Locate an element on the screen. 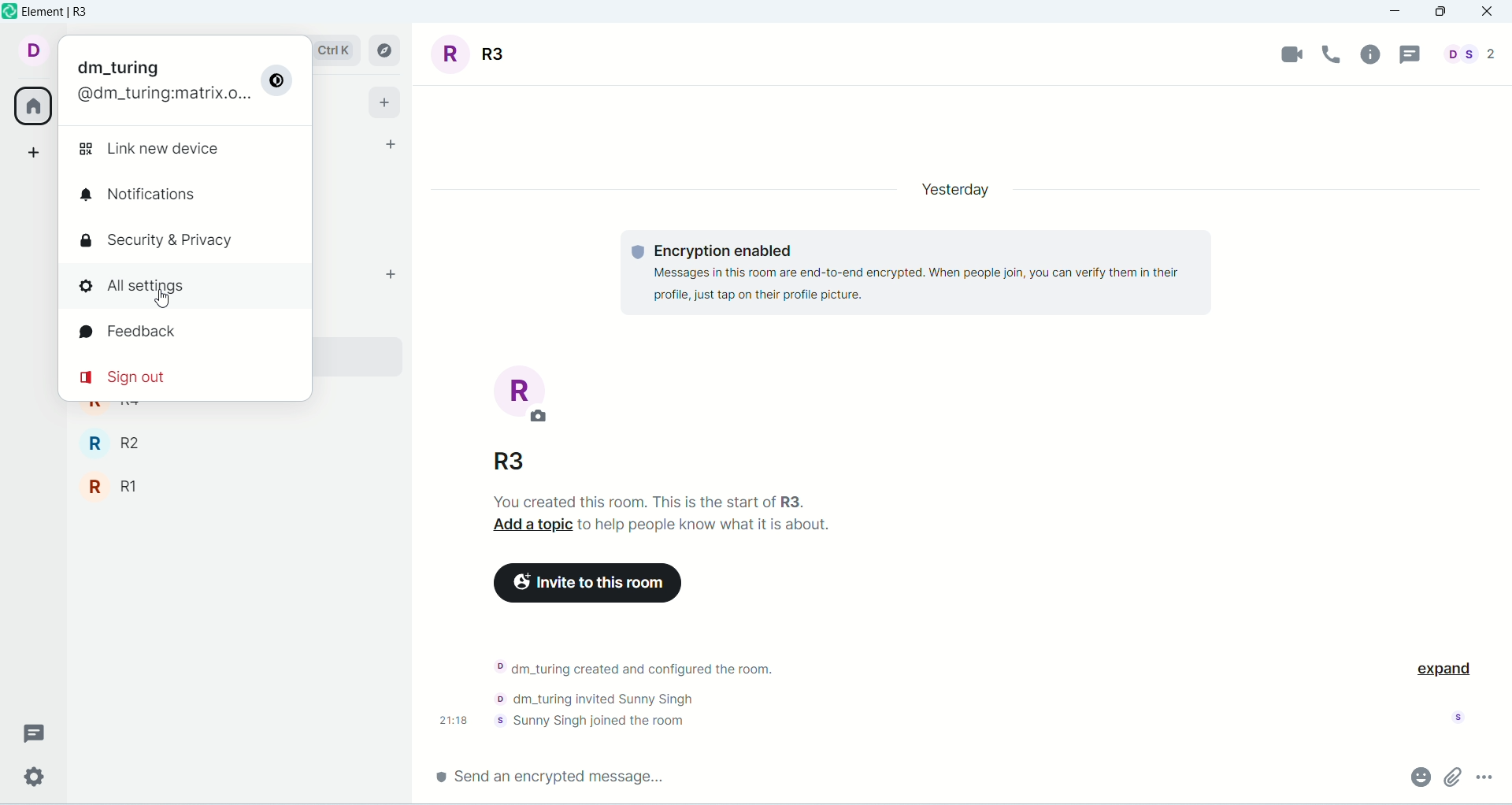 The width and height of the screenshot is (1512, 805). feedback is located at coordinates (138, 334).